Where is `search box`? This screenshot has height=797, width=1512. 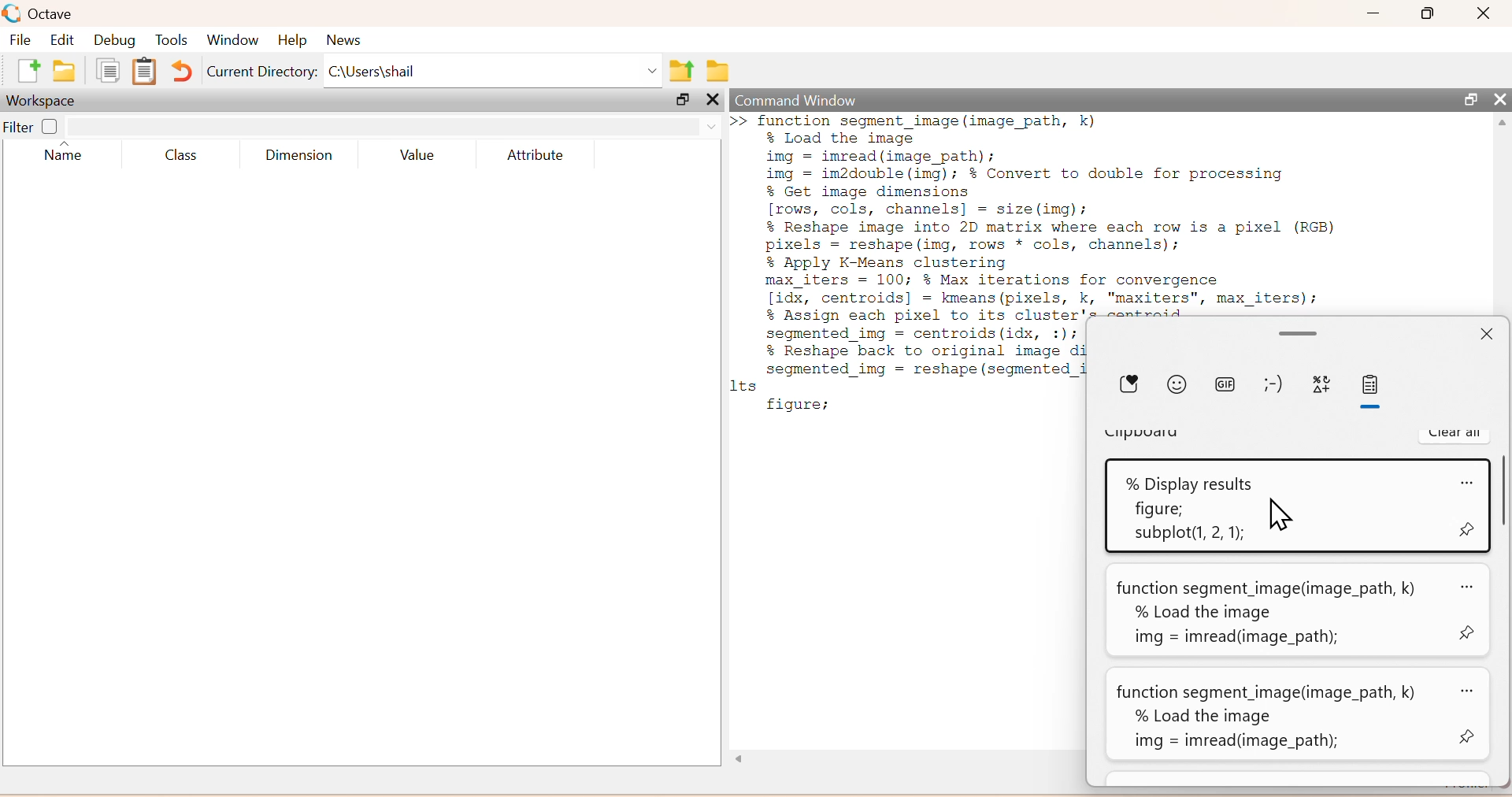 search box is located at coordinates (382, 126).